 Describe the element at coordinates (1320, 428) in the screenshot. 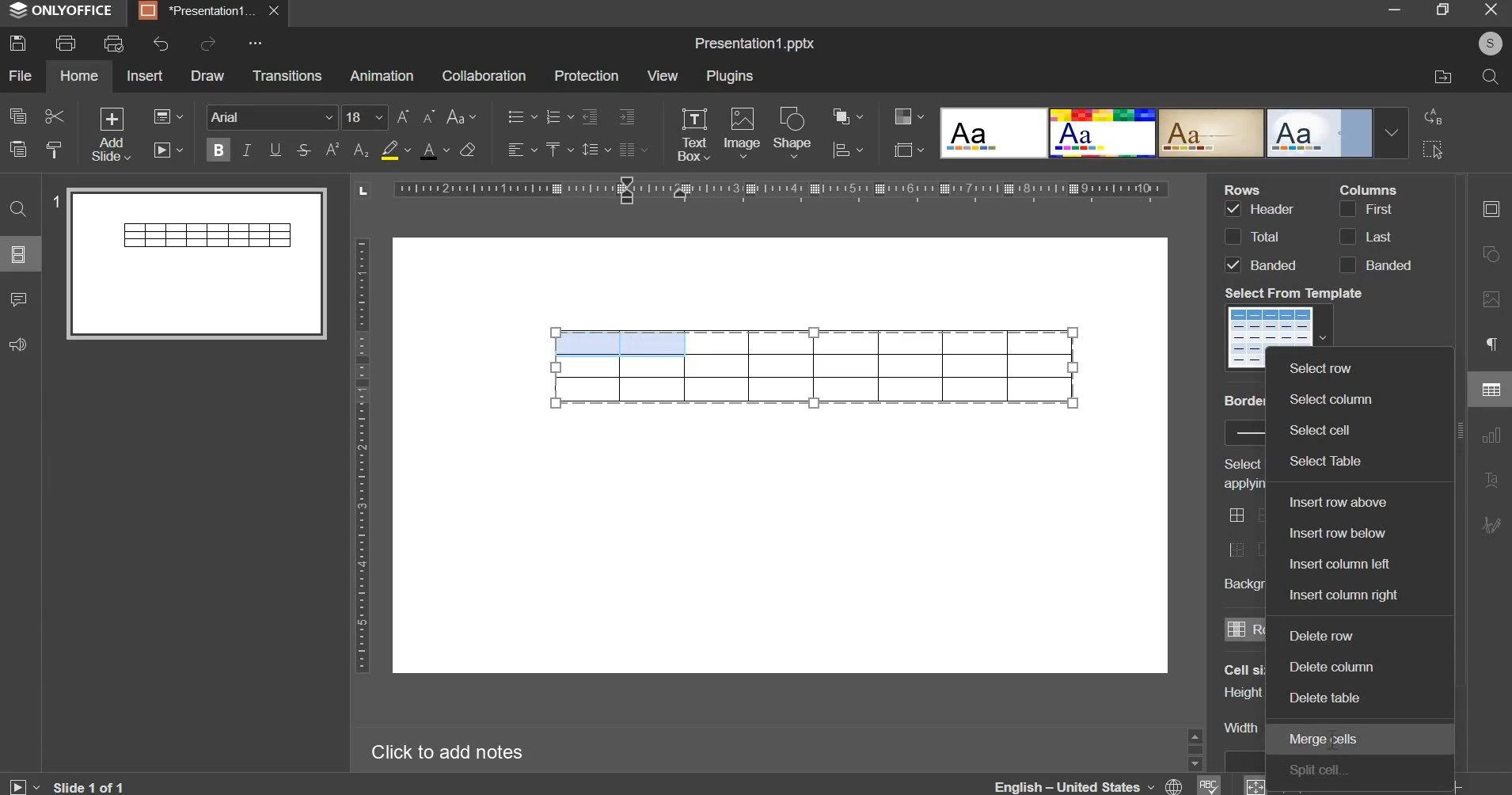

I see `selected cell` at that location.